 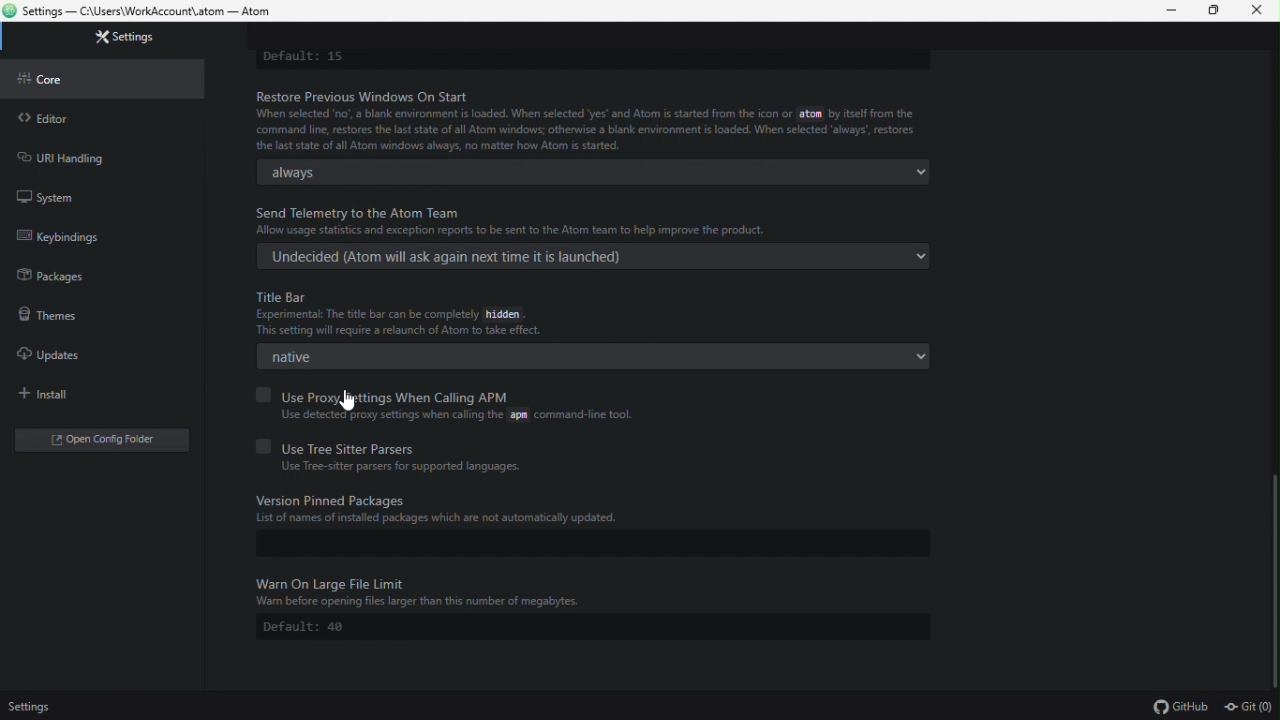 What do you see at coordinates (108, 444) in the screenshot?
I see `Open config editor` at bounding box center [108, 444].